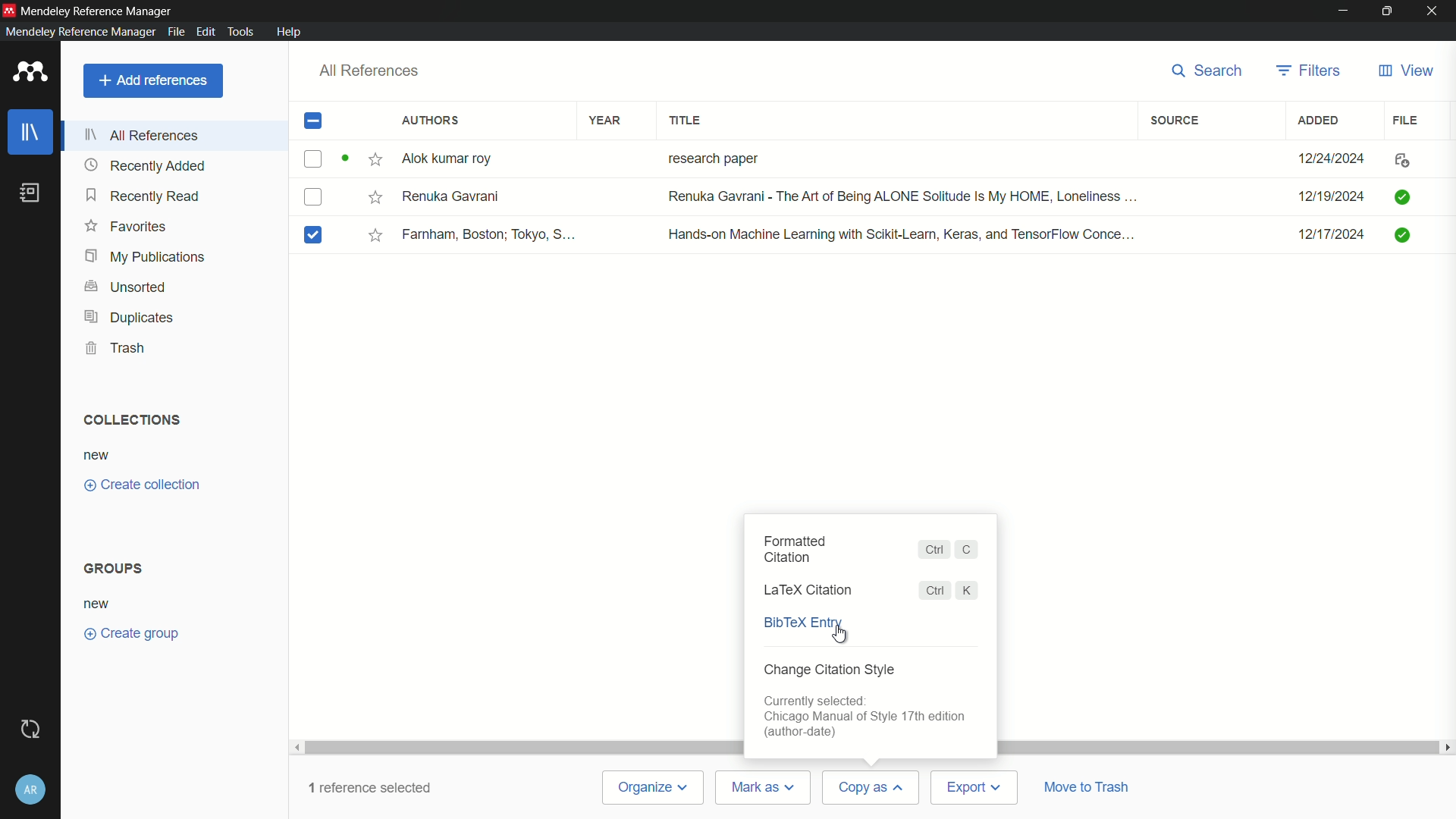  Describe the element at coordinates (1407, 158) in the screenshot. I see `File` at that location.